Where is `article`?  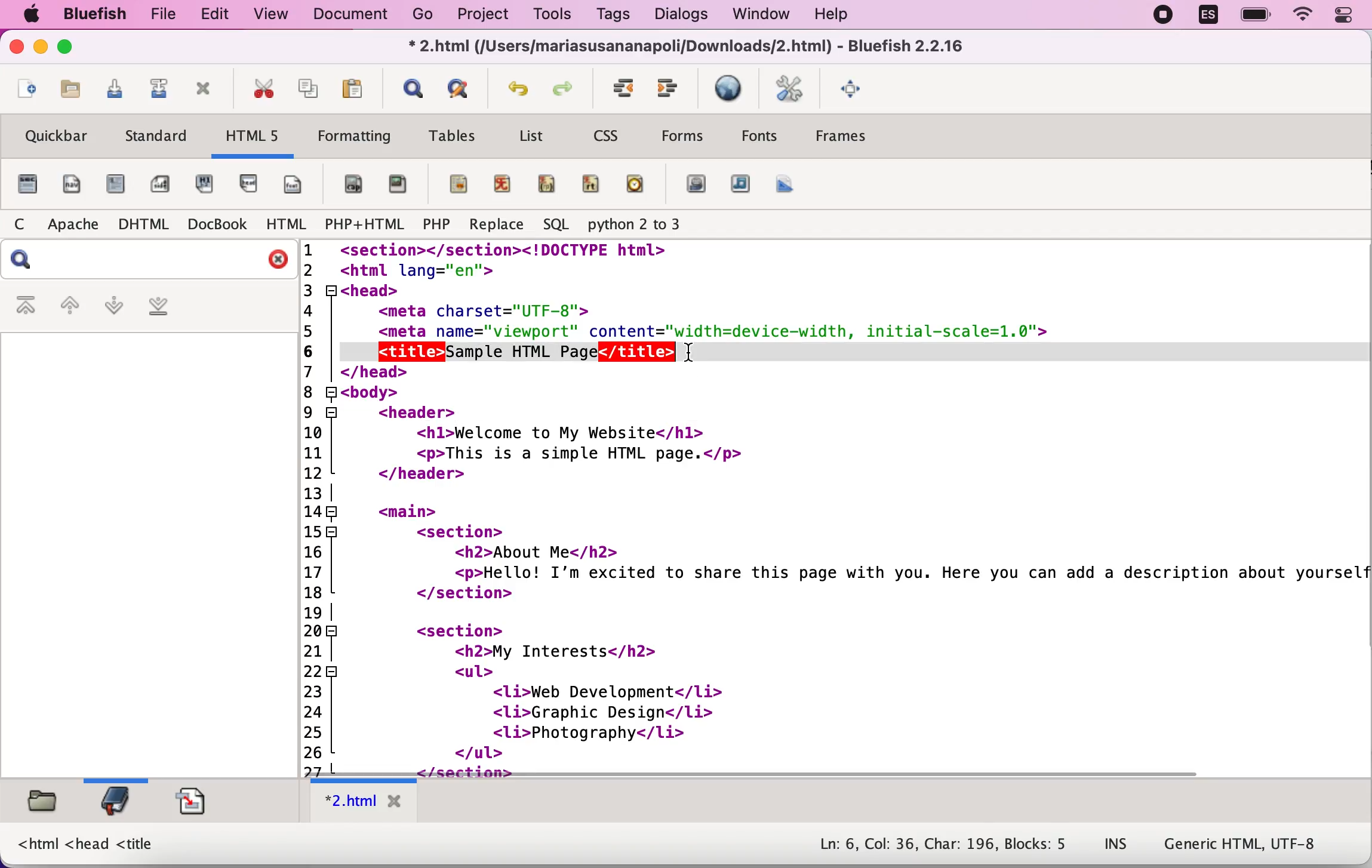
article is located at coordinates (118, 186).